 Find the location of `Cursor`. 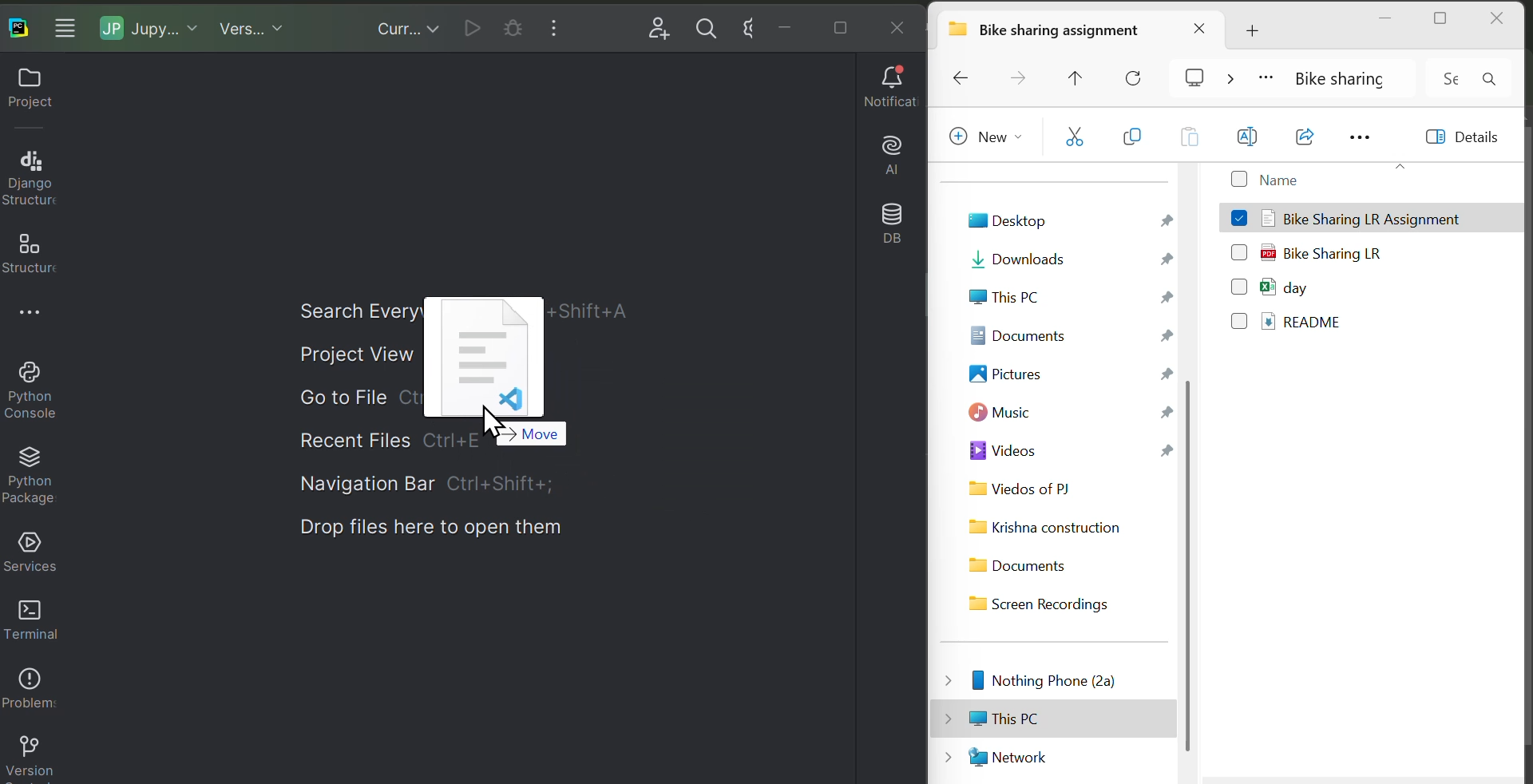

Cursor is located at coordinates (505, 425).